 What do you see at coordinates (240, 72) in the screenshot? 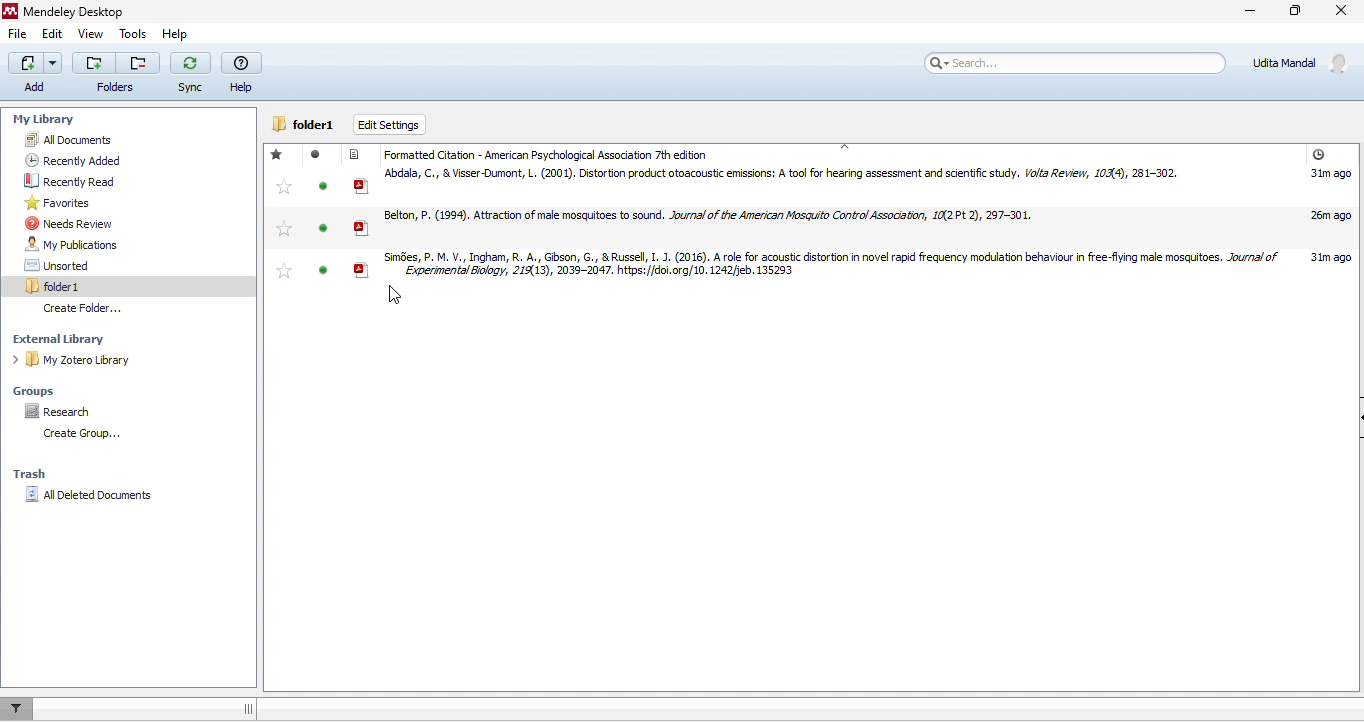
I see `help` at bounding box center [240, 72].